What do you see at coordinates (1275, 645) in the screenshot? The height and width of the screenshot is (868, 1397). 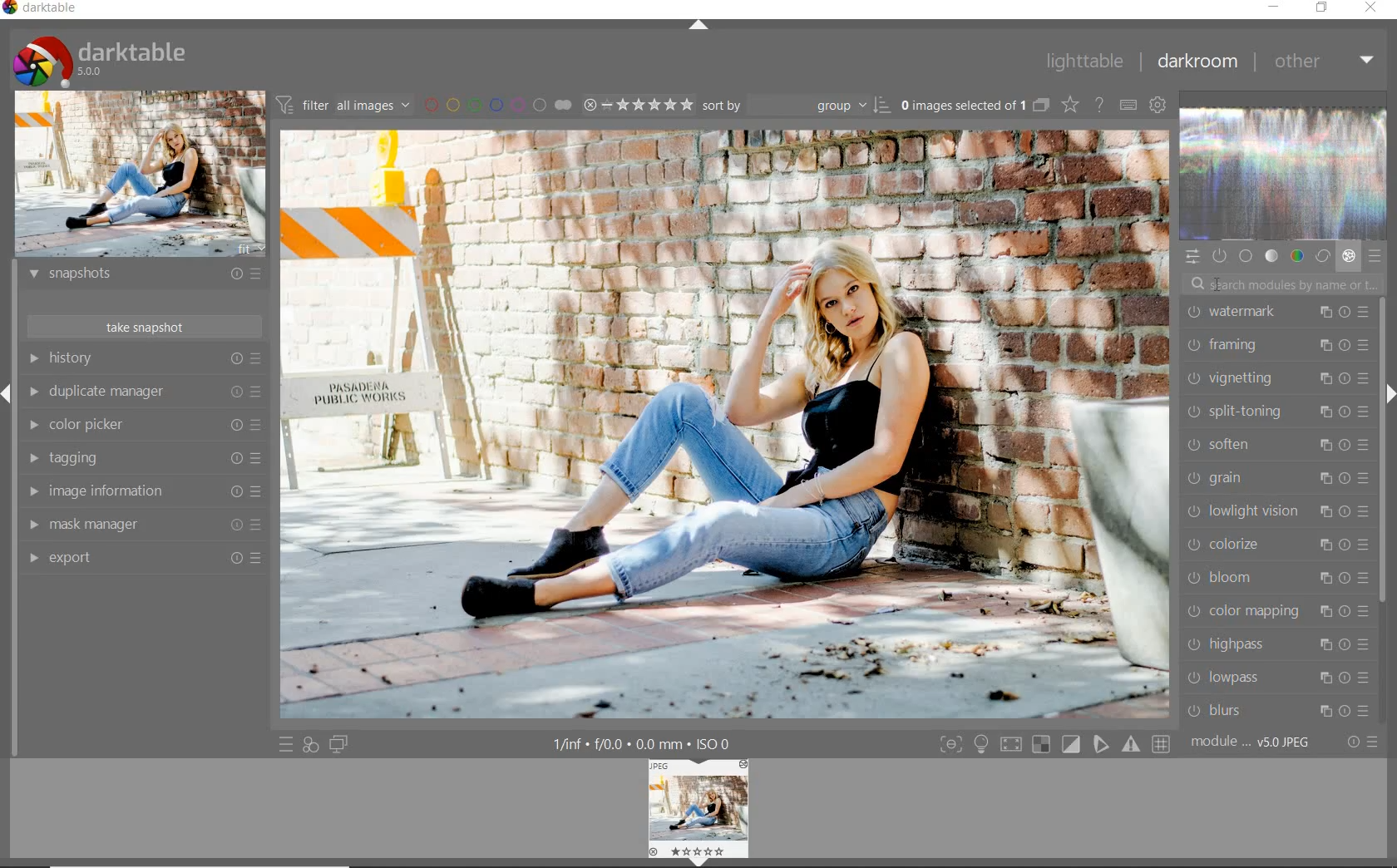 I see `highpass` at bounding box center [1275, 645].